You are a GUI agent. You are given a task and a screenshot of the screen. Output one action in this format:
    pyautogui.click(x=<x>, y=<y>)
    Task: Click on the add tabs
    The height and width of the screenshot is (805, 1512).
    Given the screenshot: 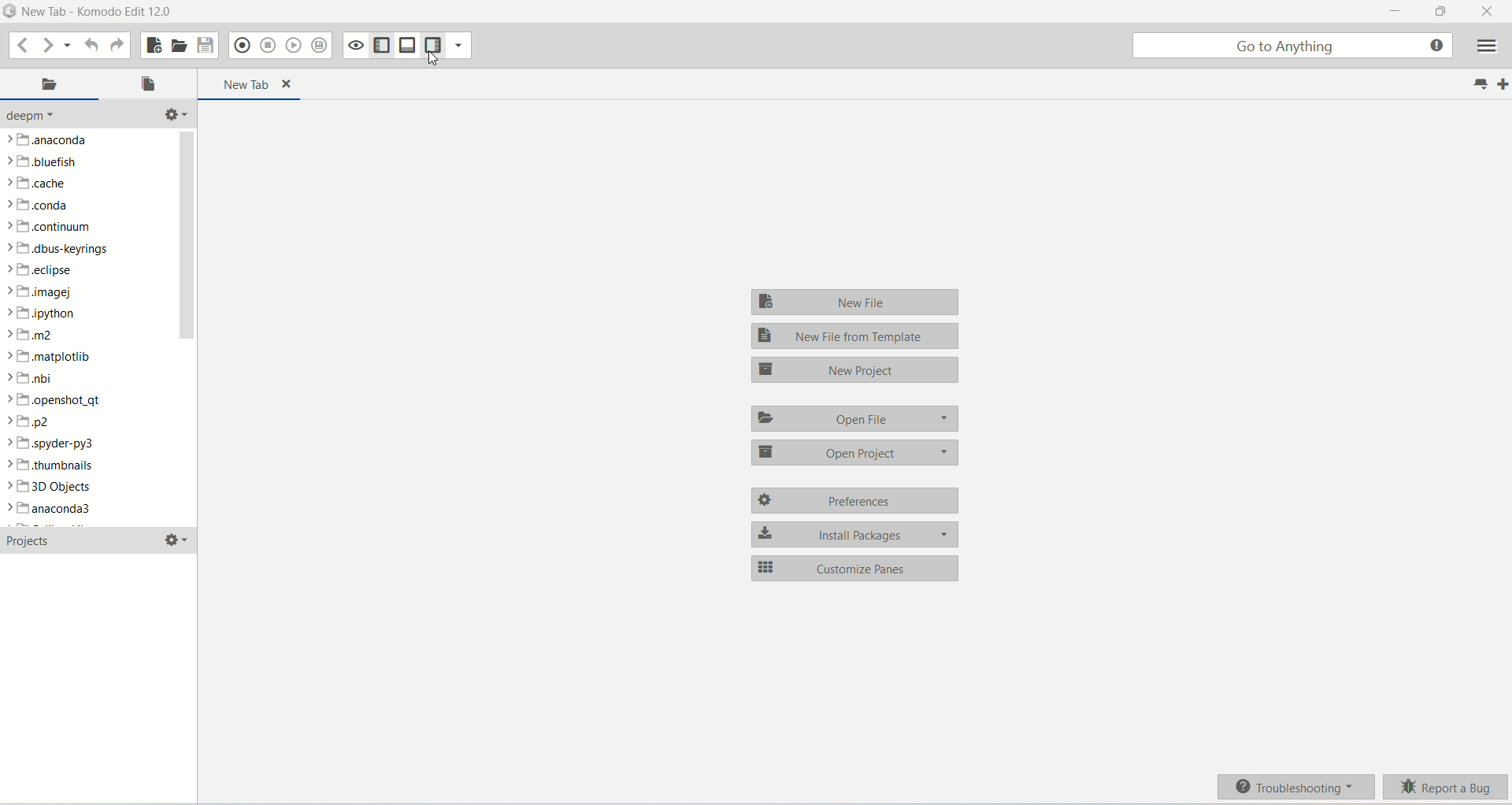 What is the action you would take?
    pyautogui.click(x=1503, y=84)
    